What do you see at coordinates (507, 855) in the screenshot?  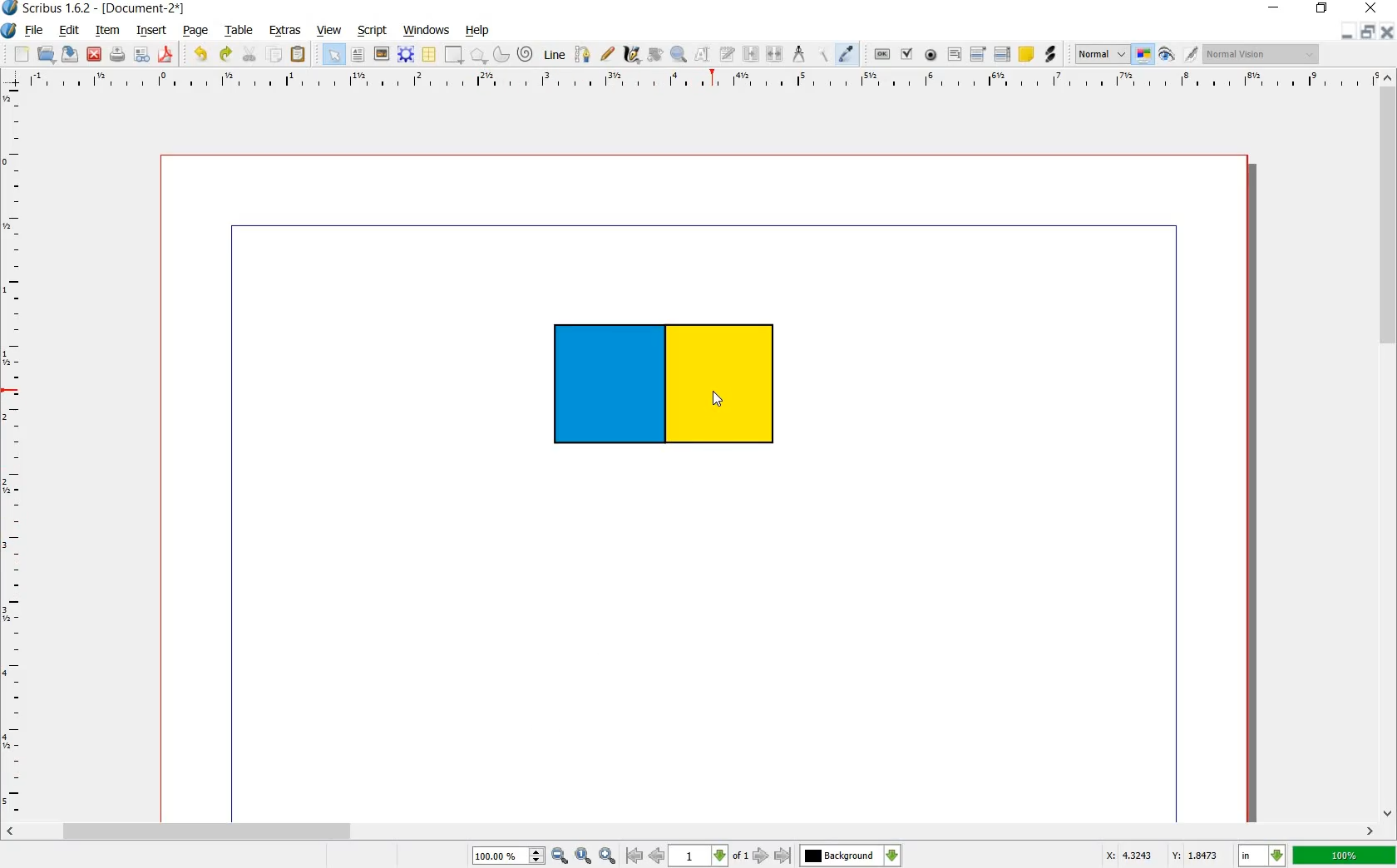 I see `100.00%` at bounding box center [507, 855].